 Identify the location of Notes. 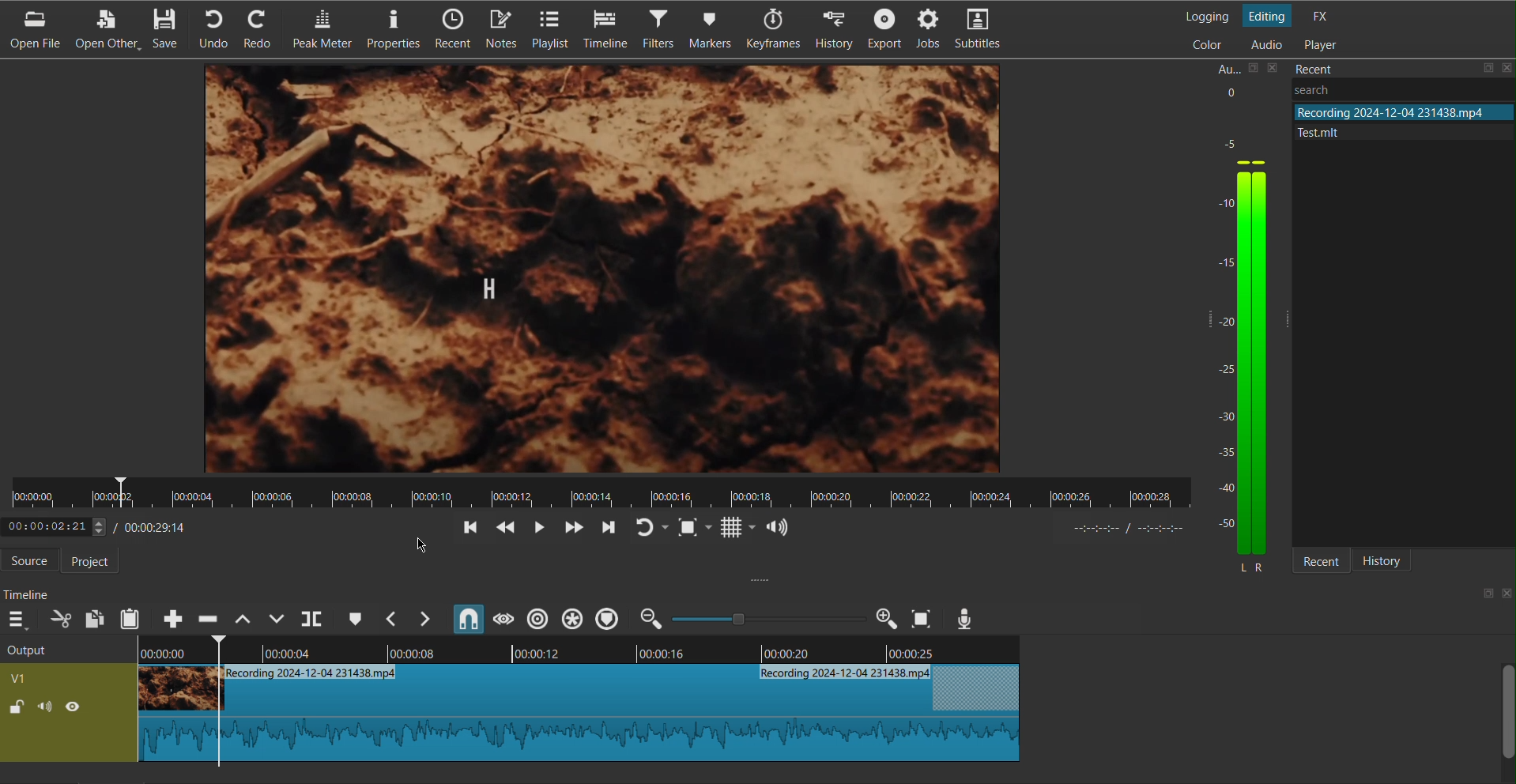
(503, 28).